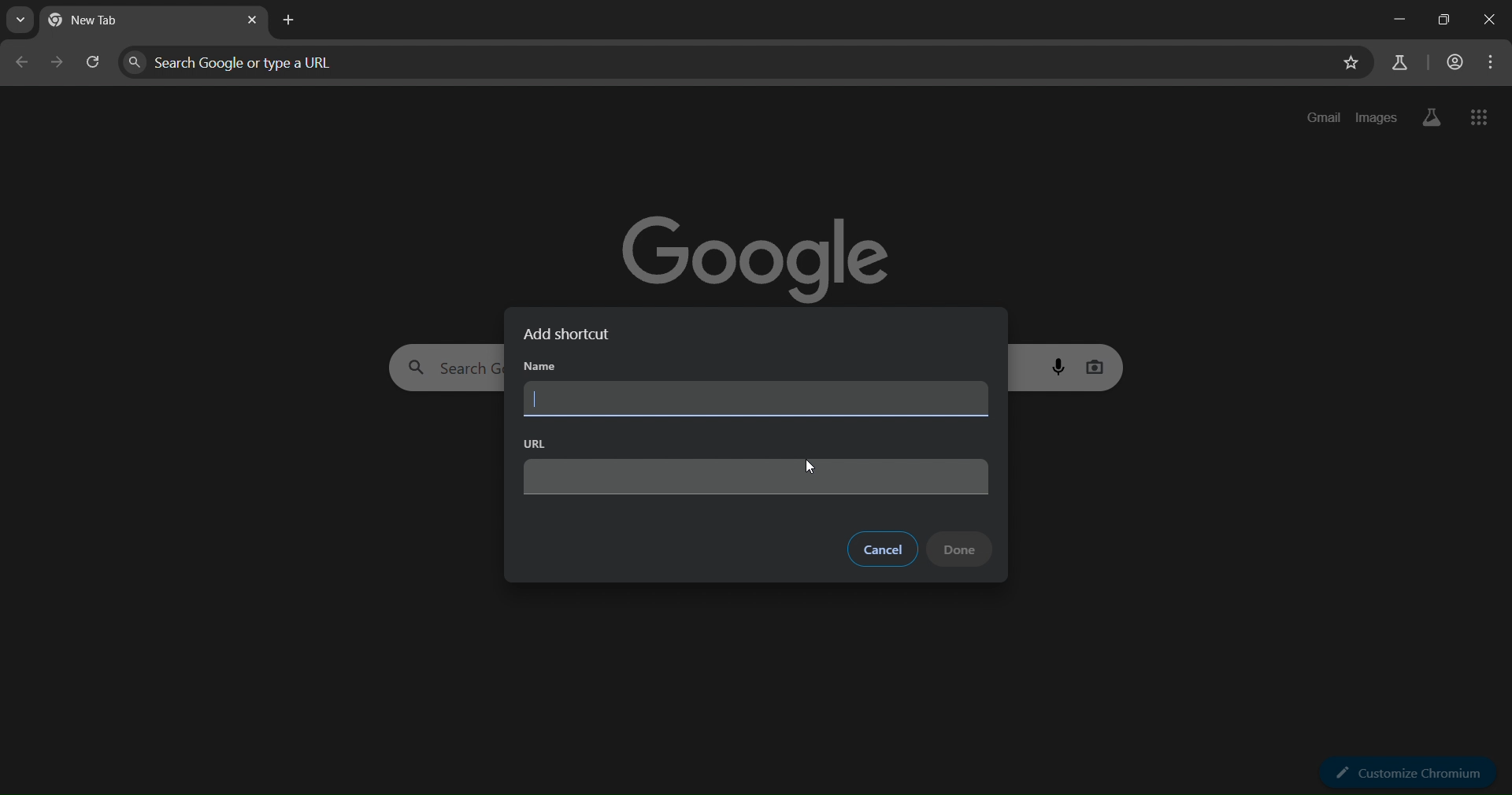  I want to click on customize chromium, so click(1407, 773).